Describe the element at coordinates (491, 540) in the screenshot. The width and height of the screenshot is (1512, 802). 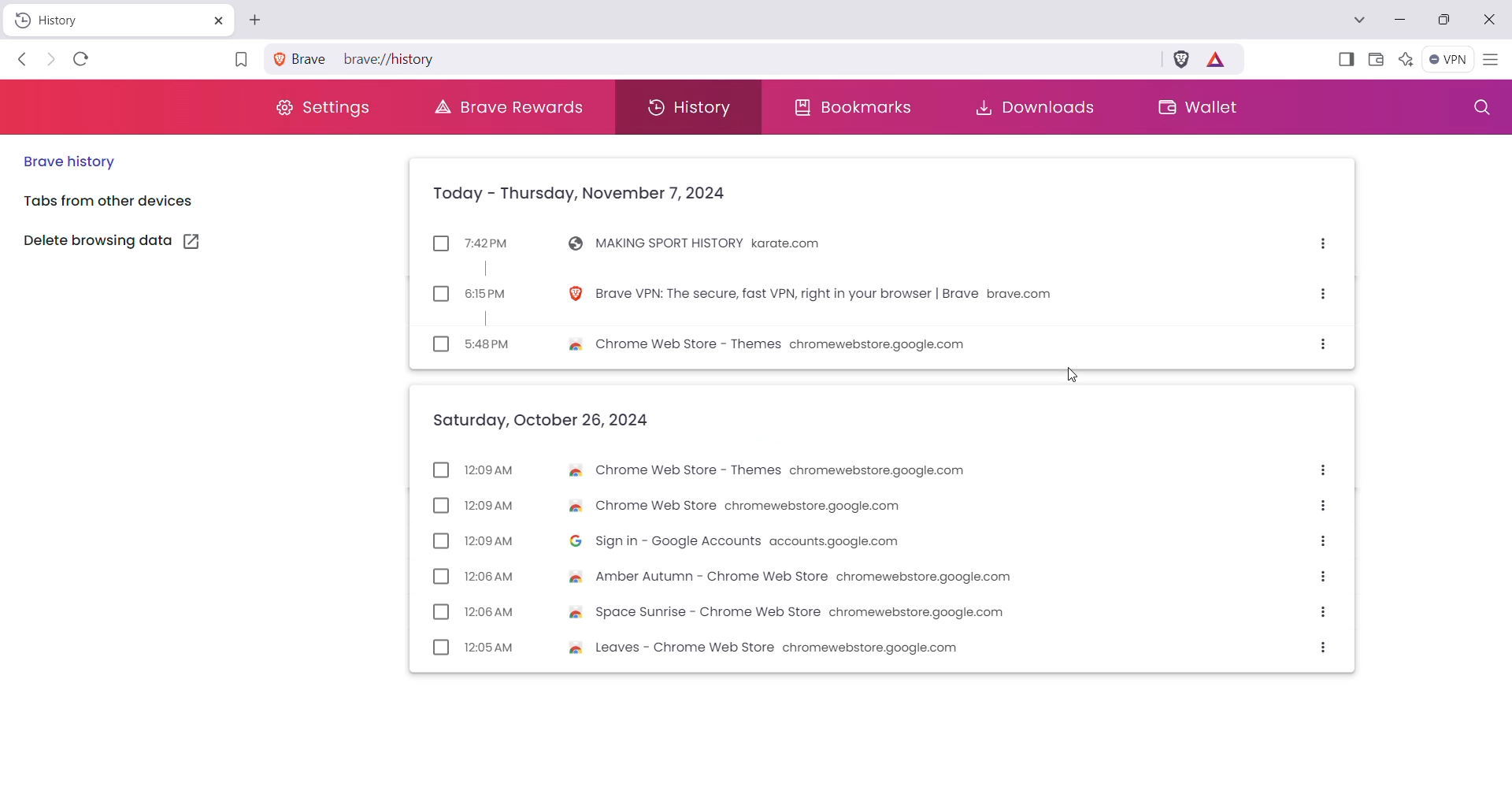
I see `12:09 AM` at that location.